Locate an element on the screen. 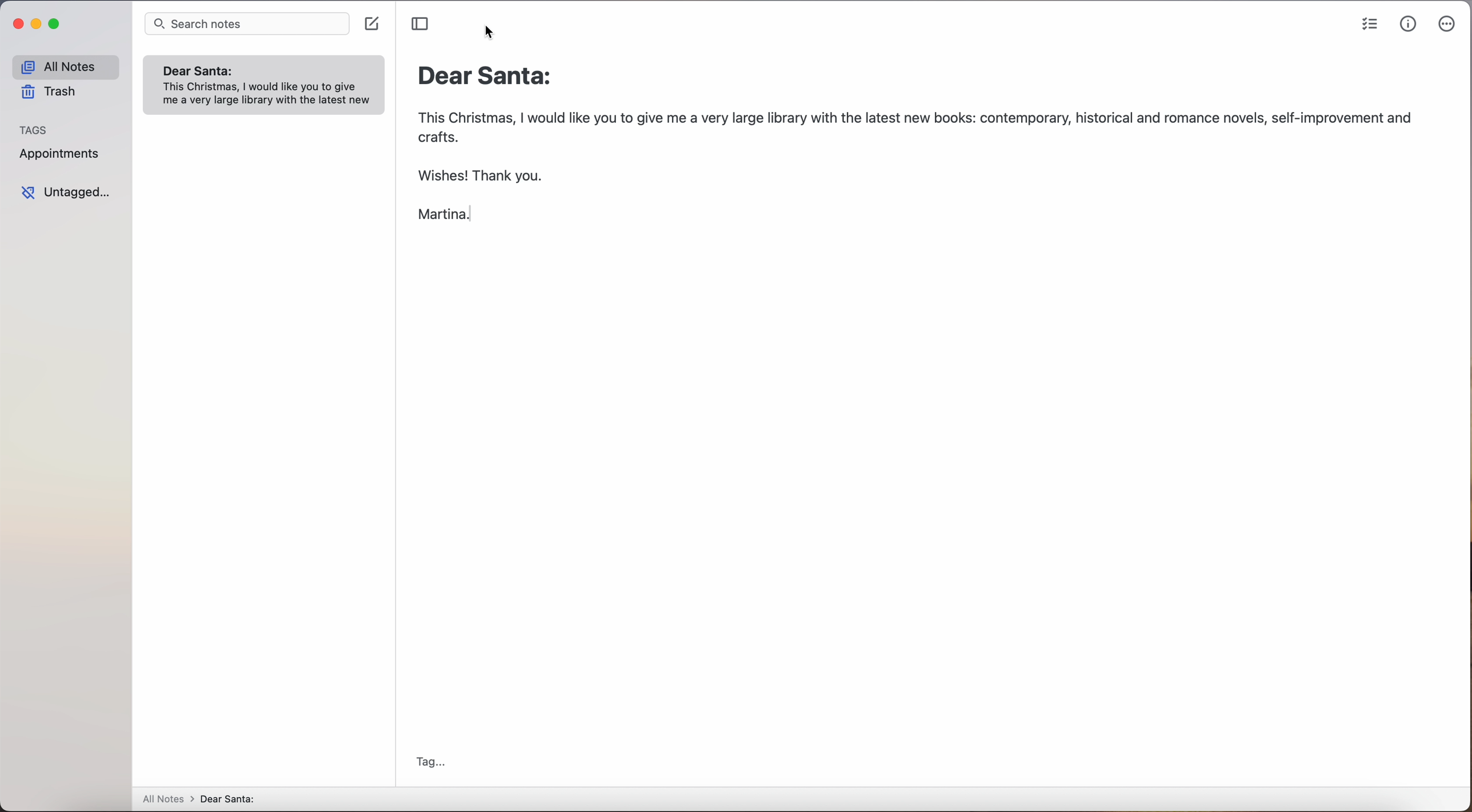 This screenshot has width=1472, height=812. toggle sidebar is located at coordinates (418, 24).